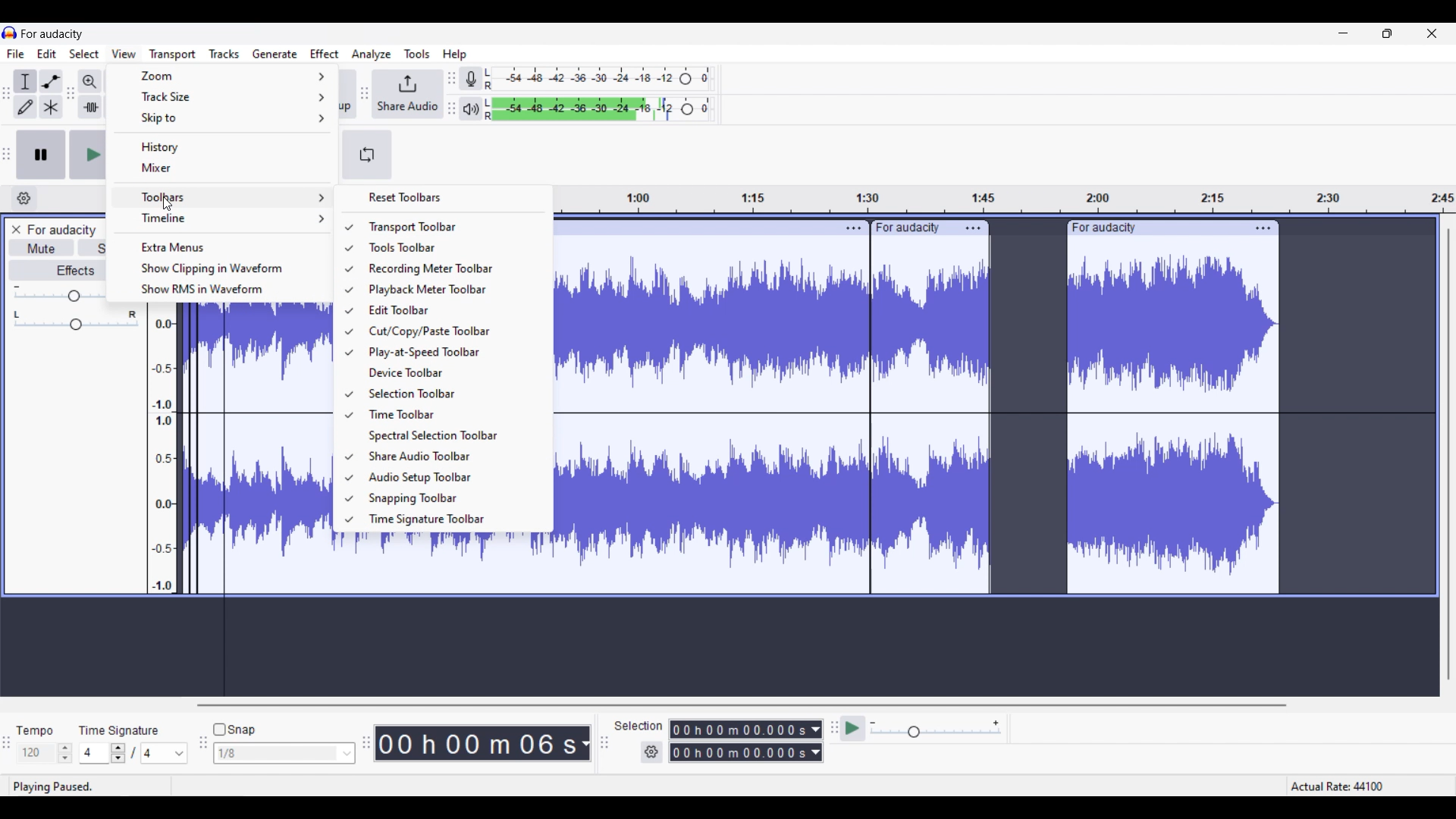  Describe the element at coordinates (974, 227) in the screenshot. I see `track options` at that location.